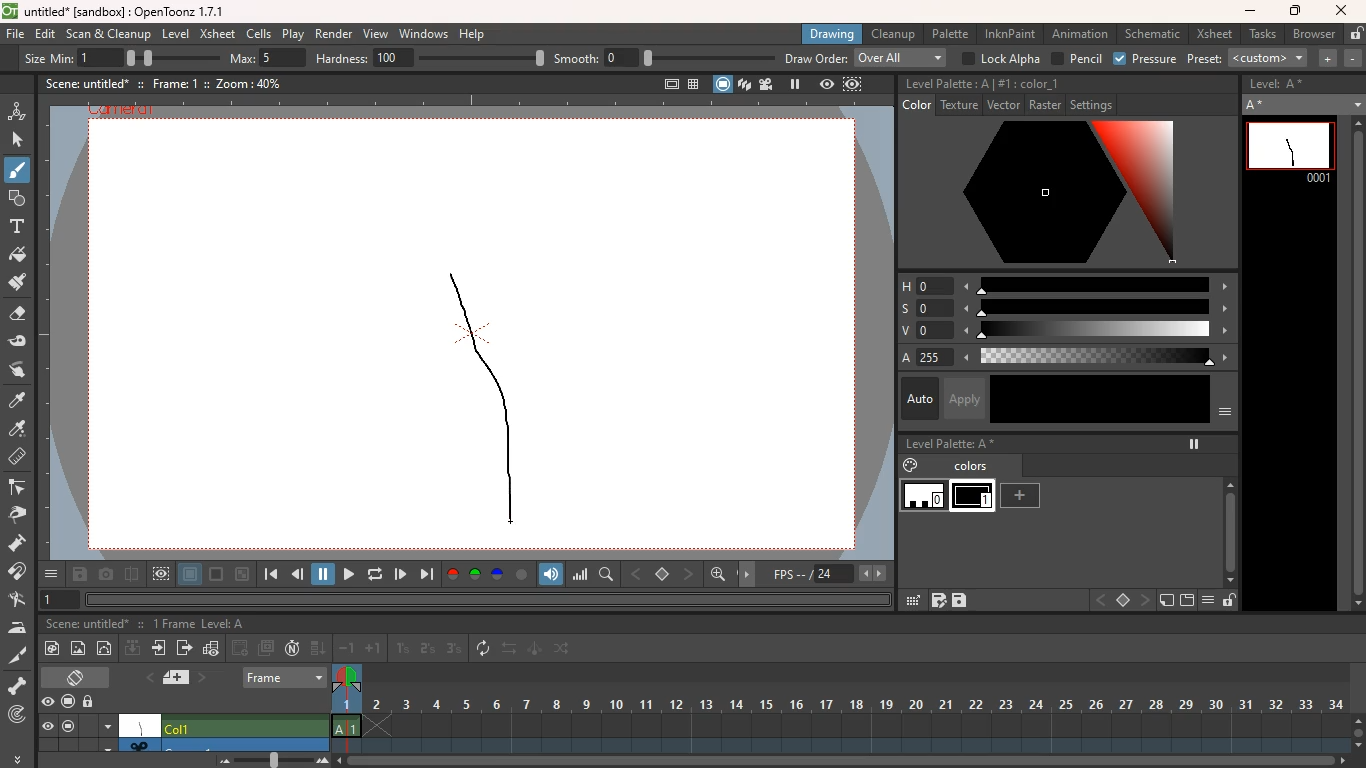  I want to click on front, so click(690, 573).